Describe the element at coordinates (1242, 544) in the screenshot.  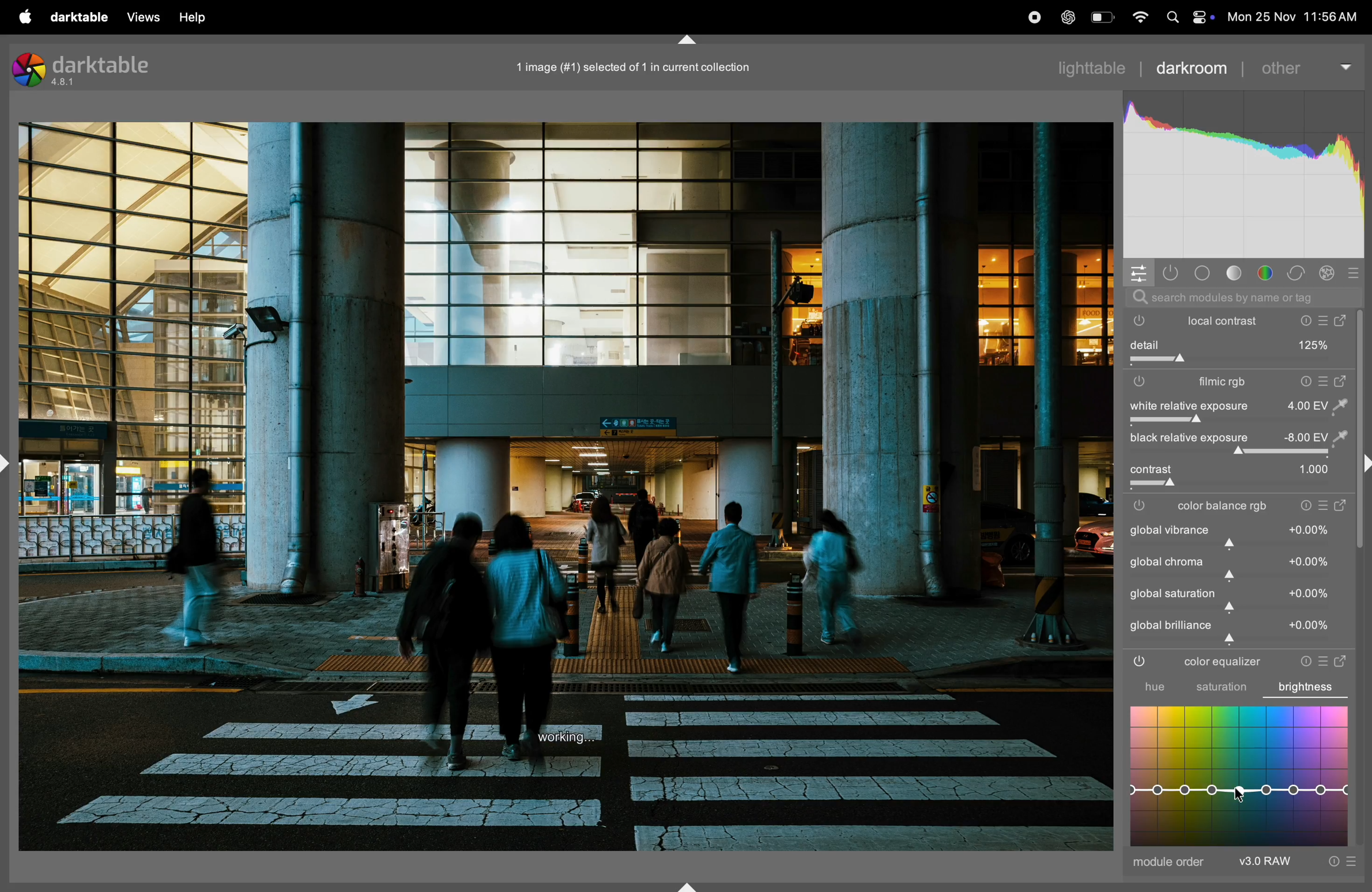
I see `slider` at that location.